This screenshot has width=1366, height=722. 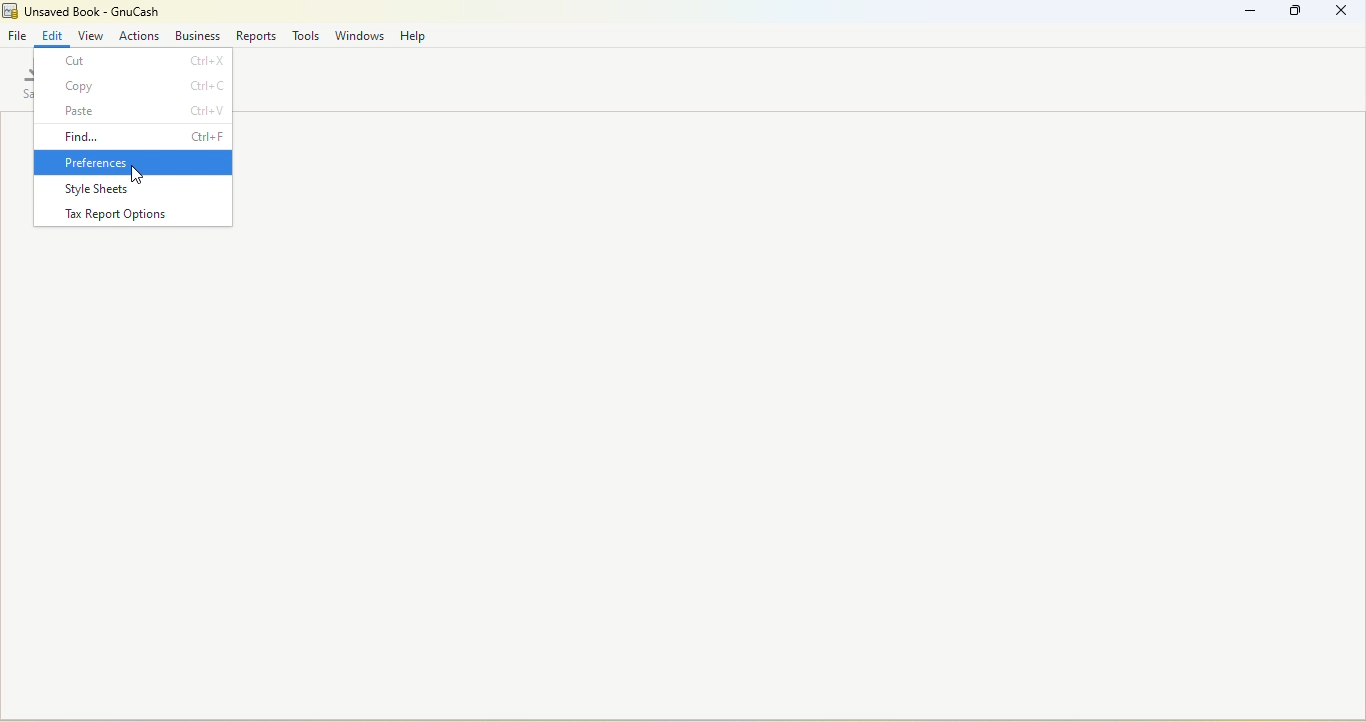 What do you see at coordinates (255, 35) in the screenshot?
I see `Reports` at bounding box center [255, 35].